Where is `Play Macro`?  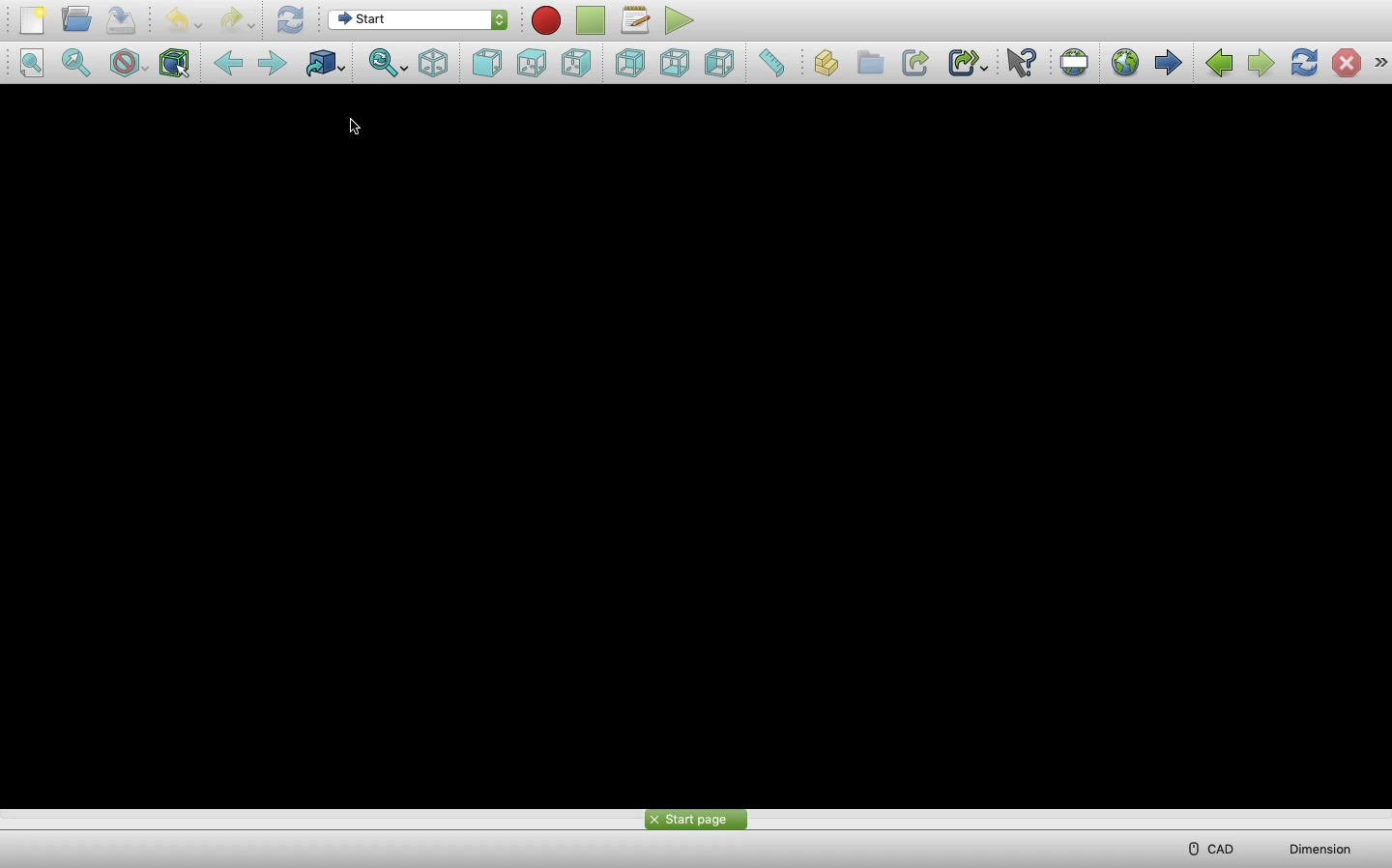
Play Macro is located at coordinates (679, 21).